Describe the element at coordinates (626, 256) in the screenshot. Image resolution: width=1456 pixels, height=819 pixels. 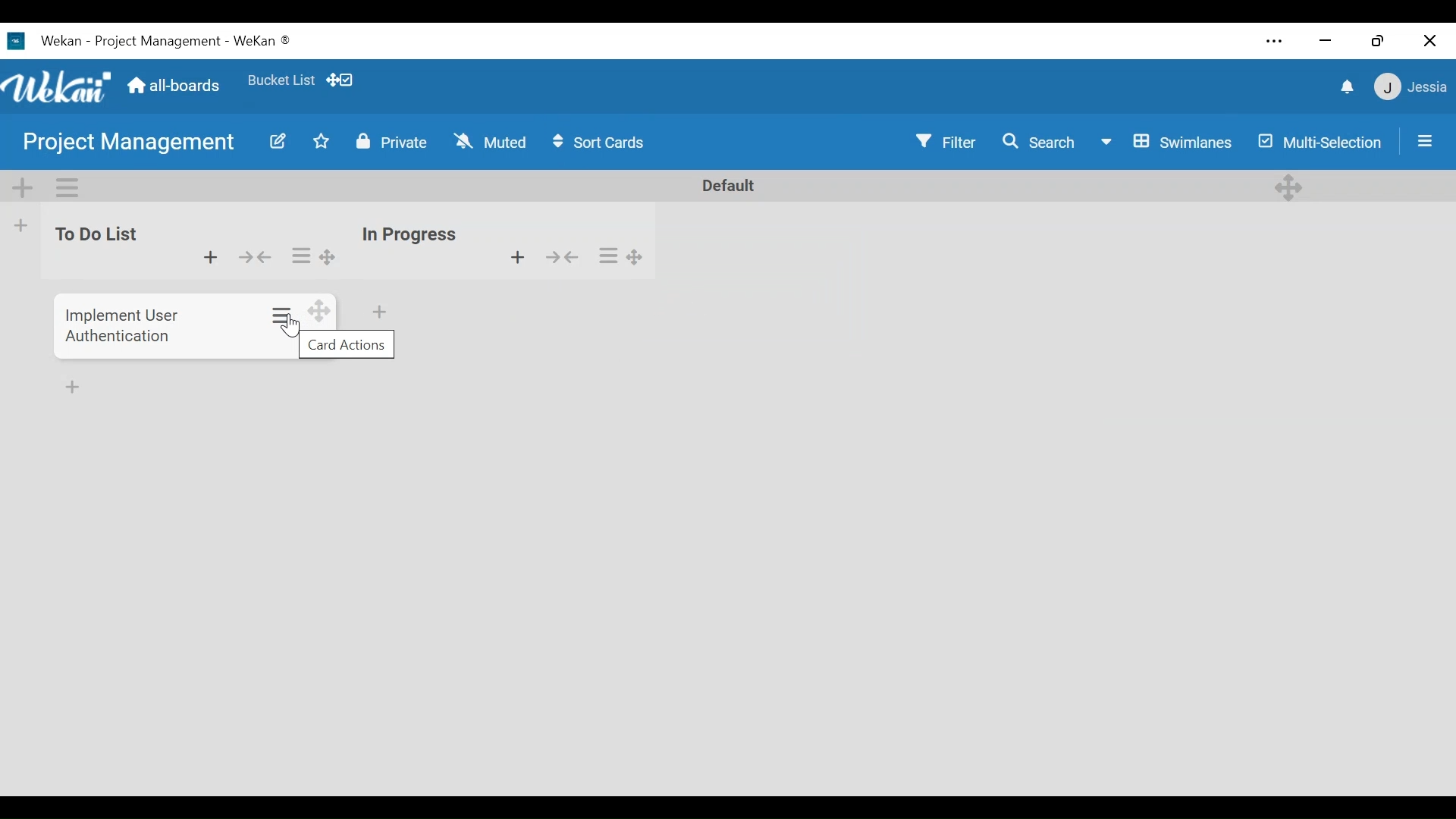
I see `options` at that location.